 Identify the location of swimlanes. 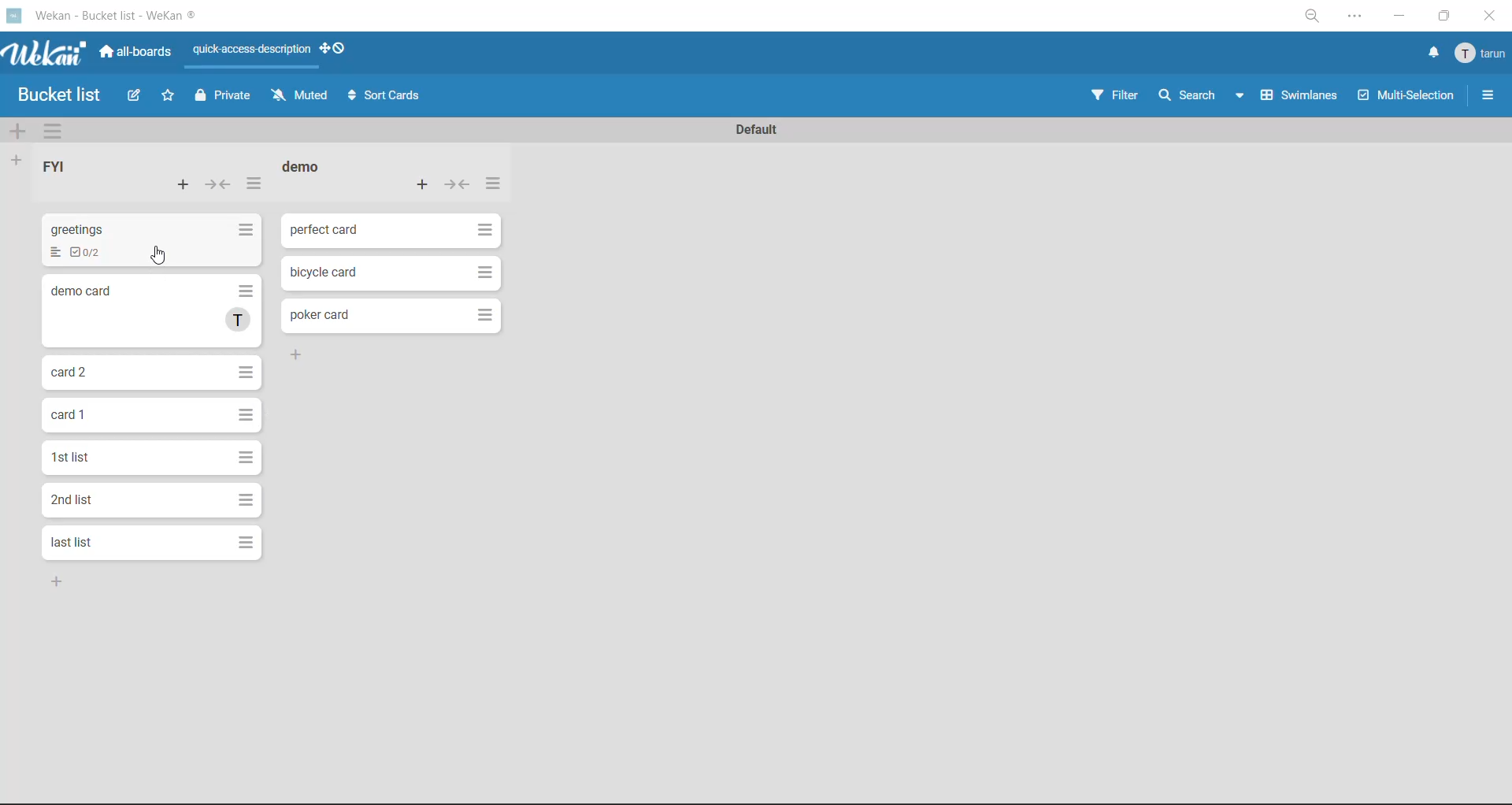
(1297, 98).